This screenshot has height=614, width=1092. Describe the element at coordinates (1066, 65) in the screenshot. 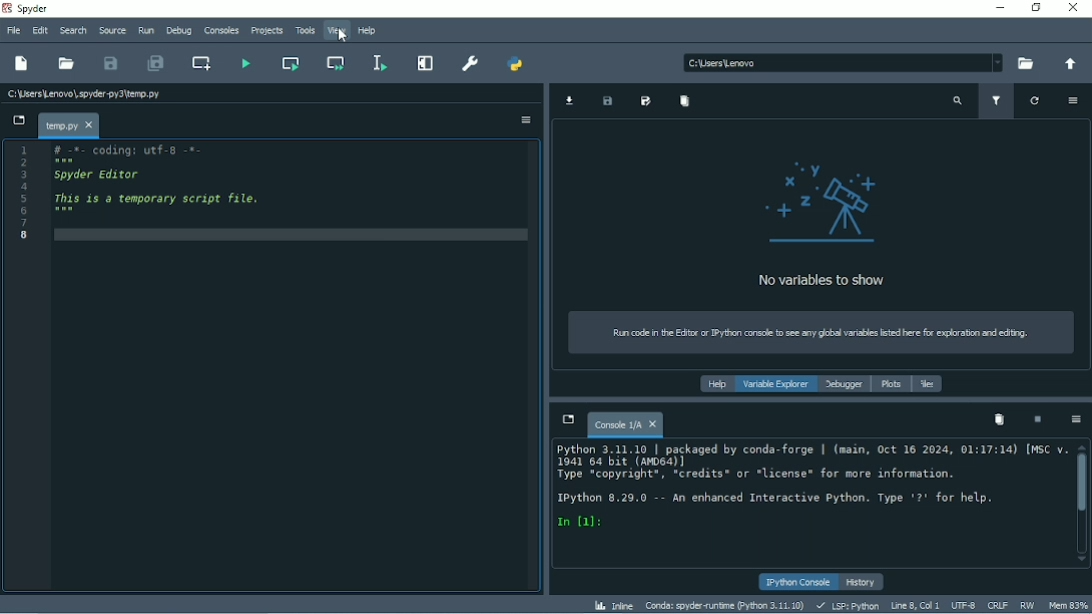

I see `Change to parent directory` at that location.